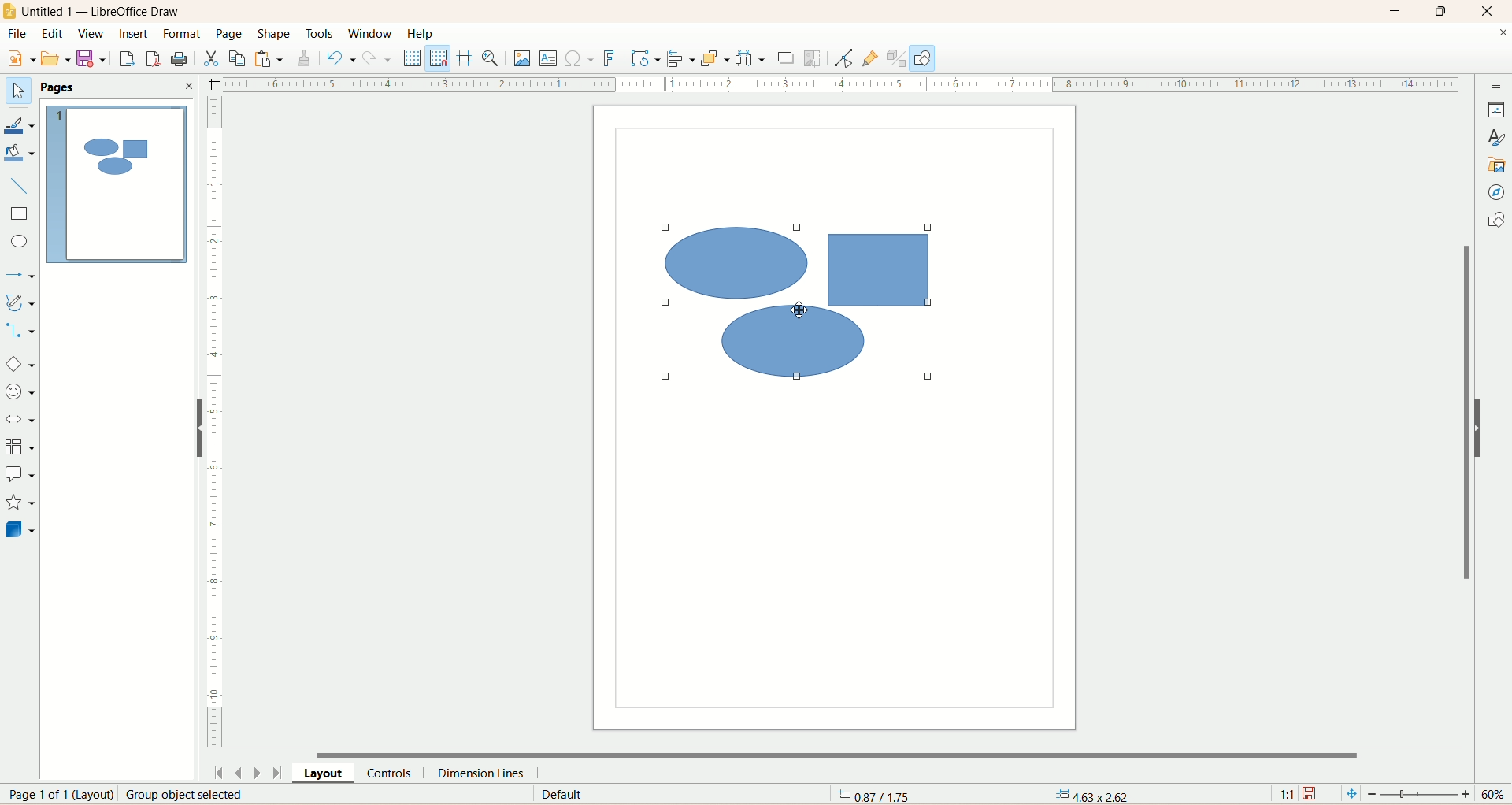 This screenshot has height=805, width=1512. What do you see at coordinates (421, 33) in the screenshot?
I see `help` at bounding box center [421, 33].